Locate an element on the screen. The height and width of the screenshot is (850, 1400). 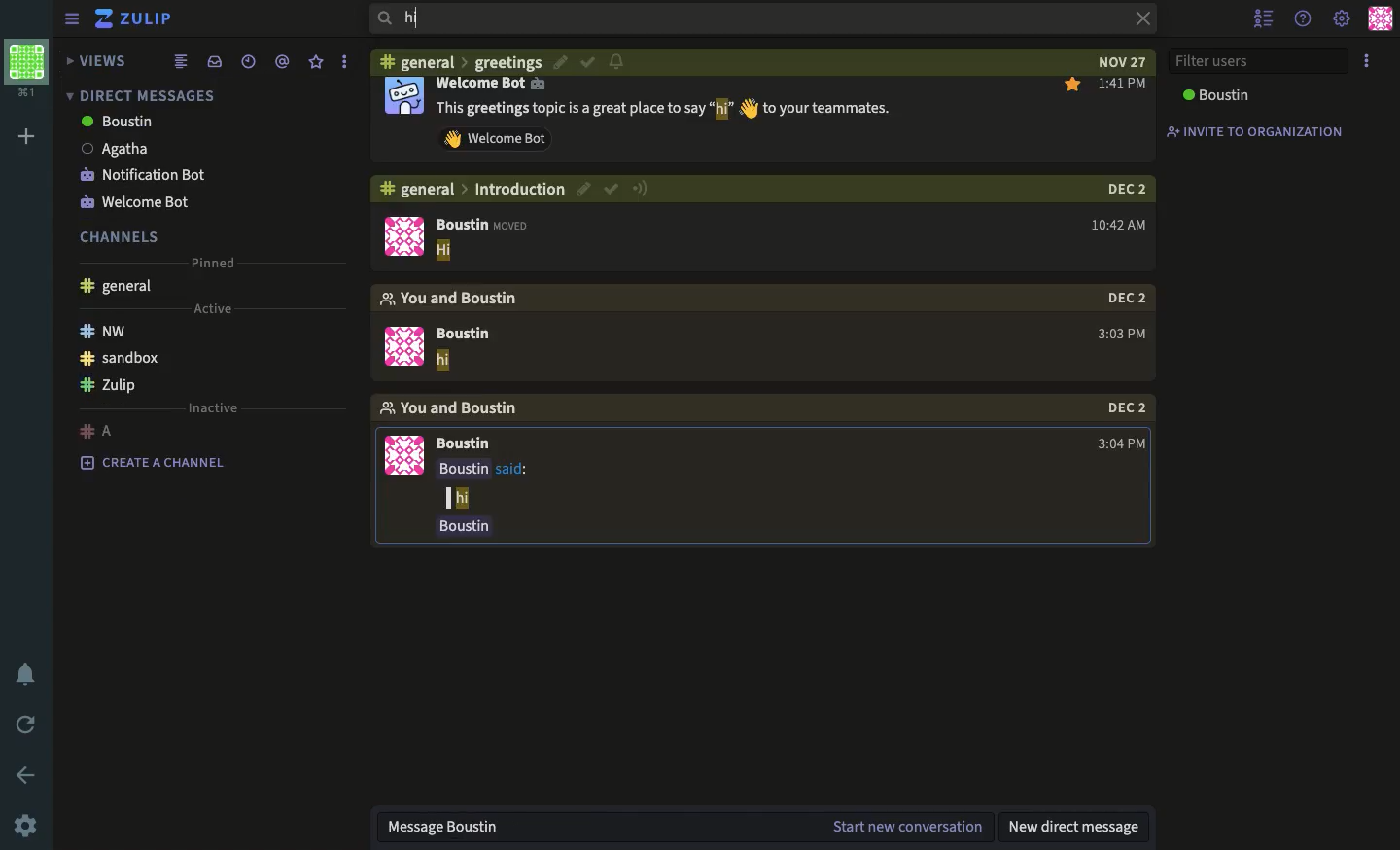
date time is located at coordinates (248, 59).